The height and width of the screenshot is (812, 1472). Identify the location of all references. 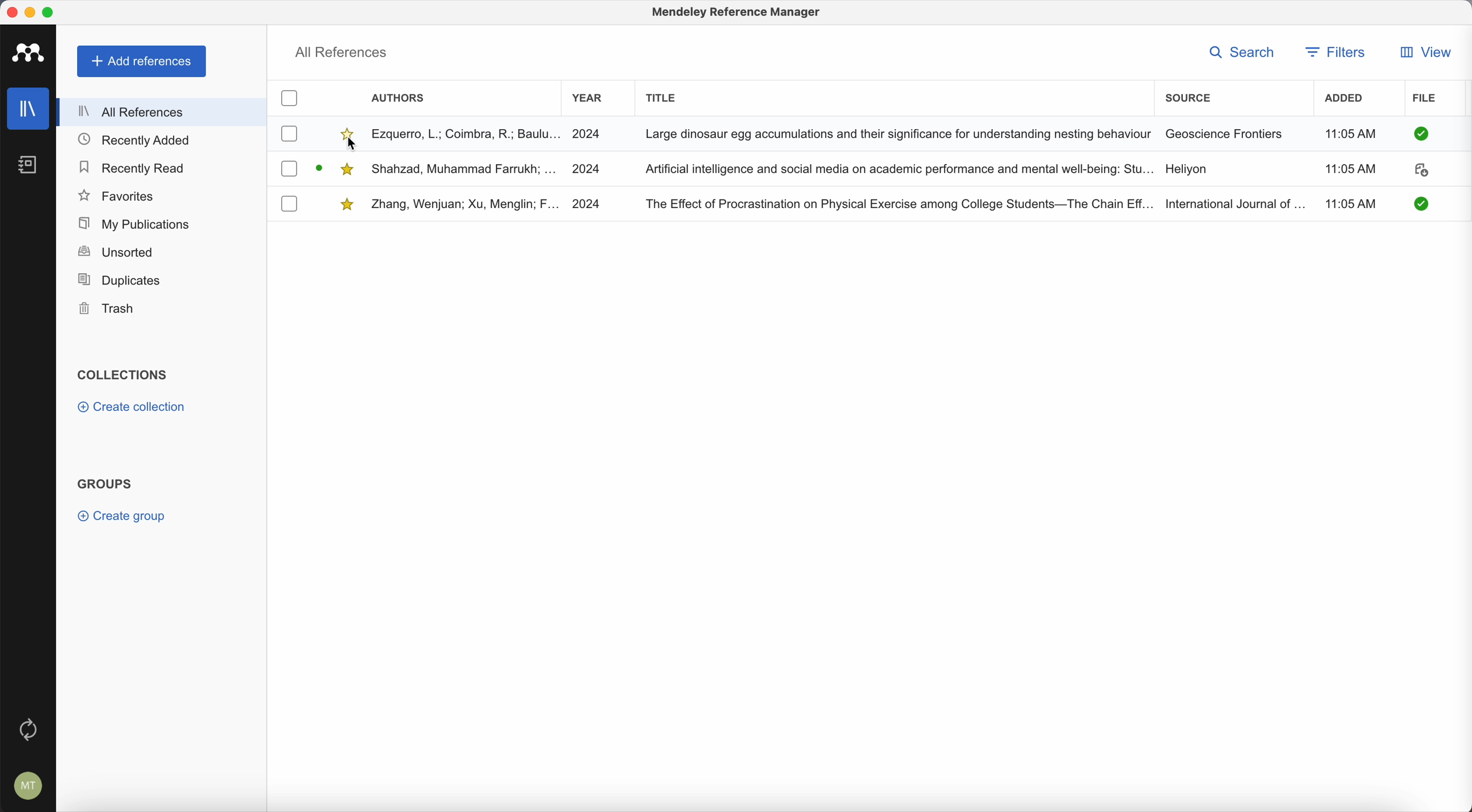
(163, 111).